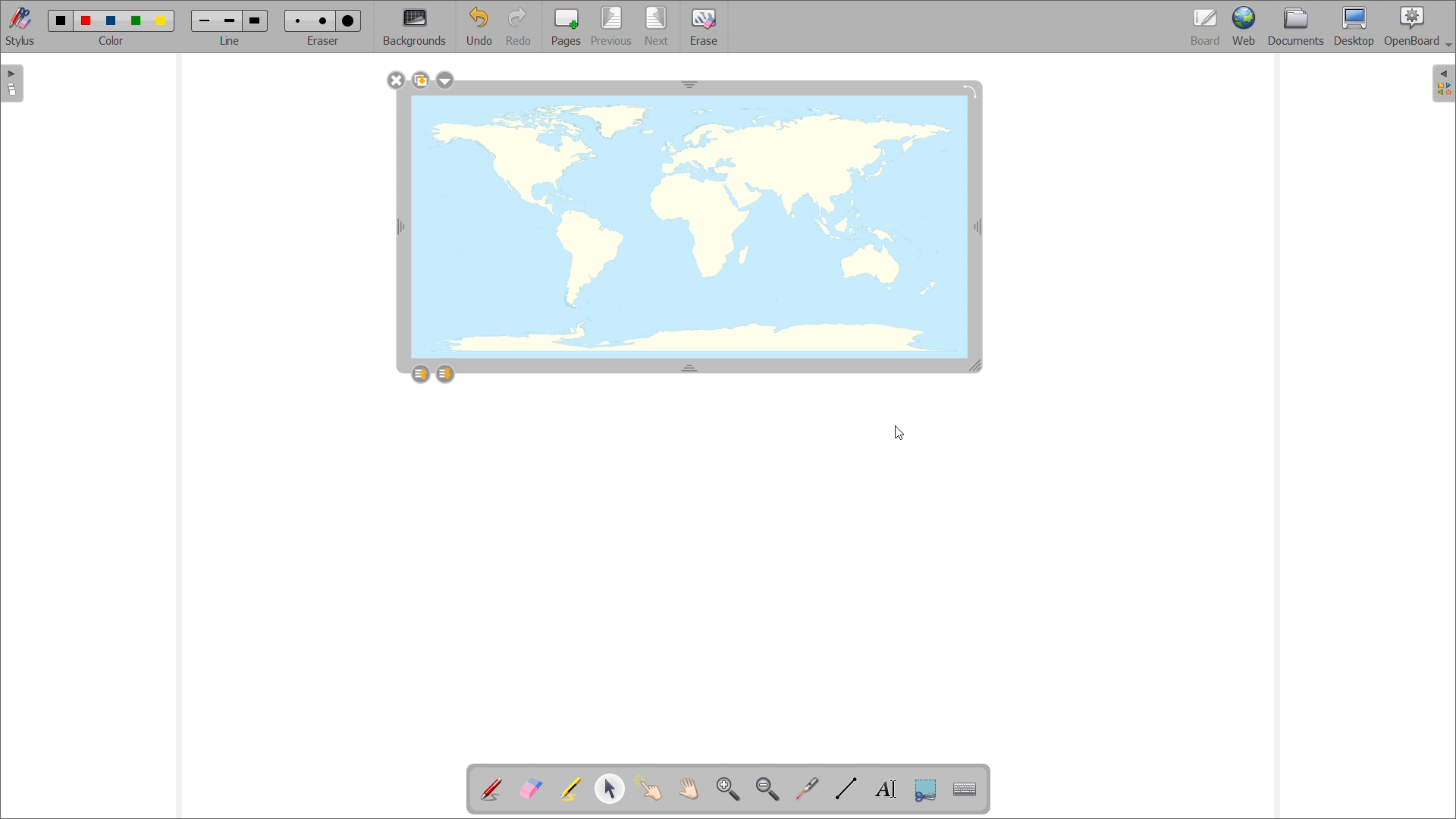  I want to click on color, so click(114, 41).